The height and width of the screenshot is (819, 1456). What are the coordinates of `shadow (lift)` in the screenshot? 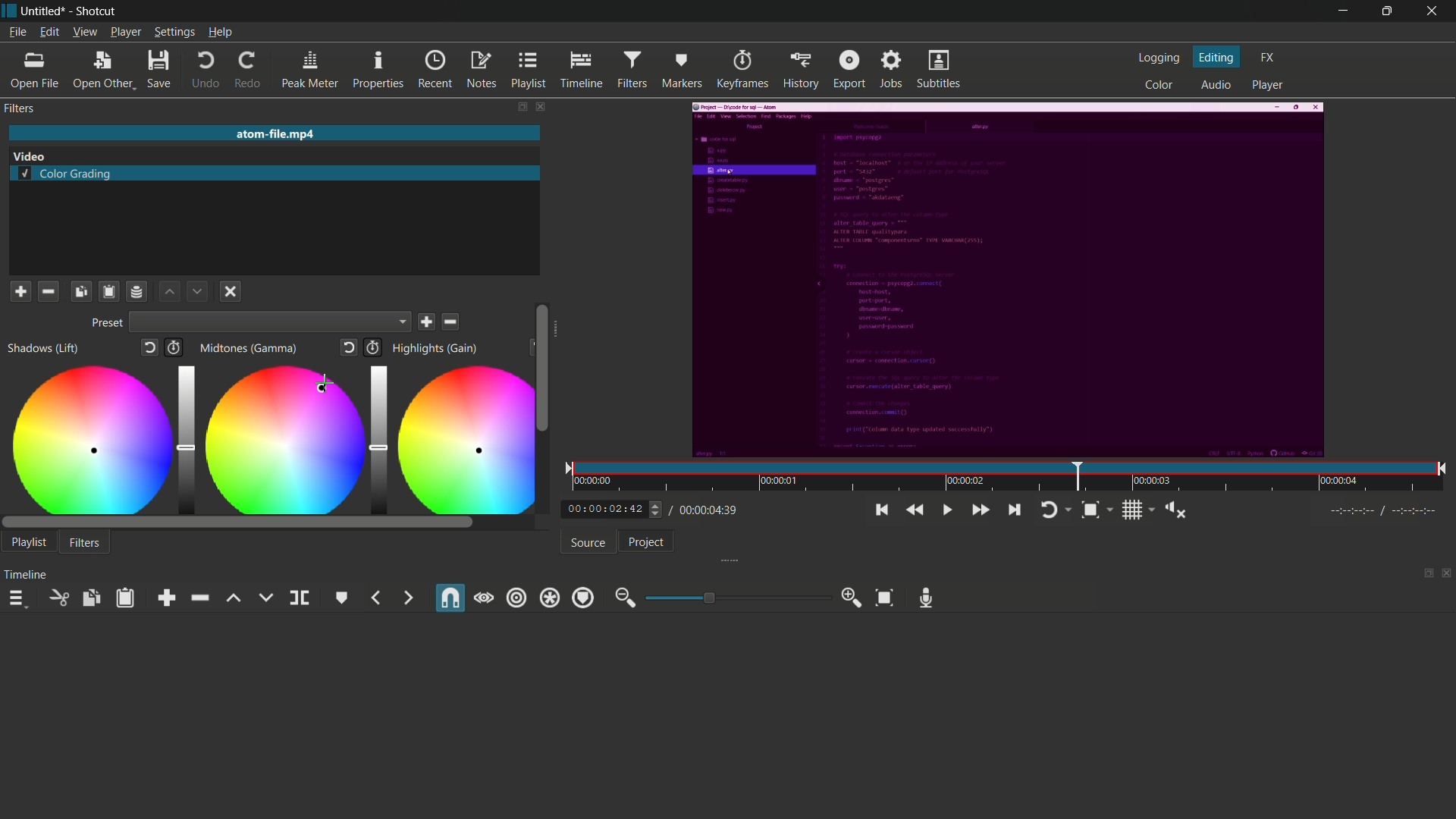 It's located at (43, 349).